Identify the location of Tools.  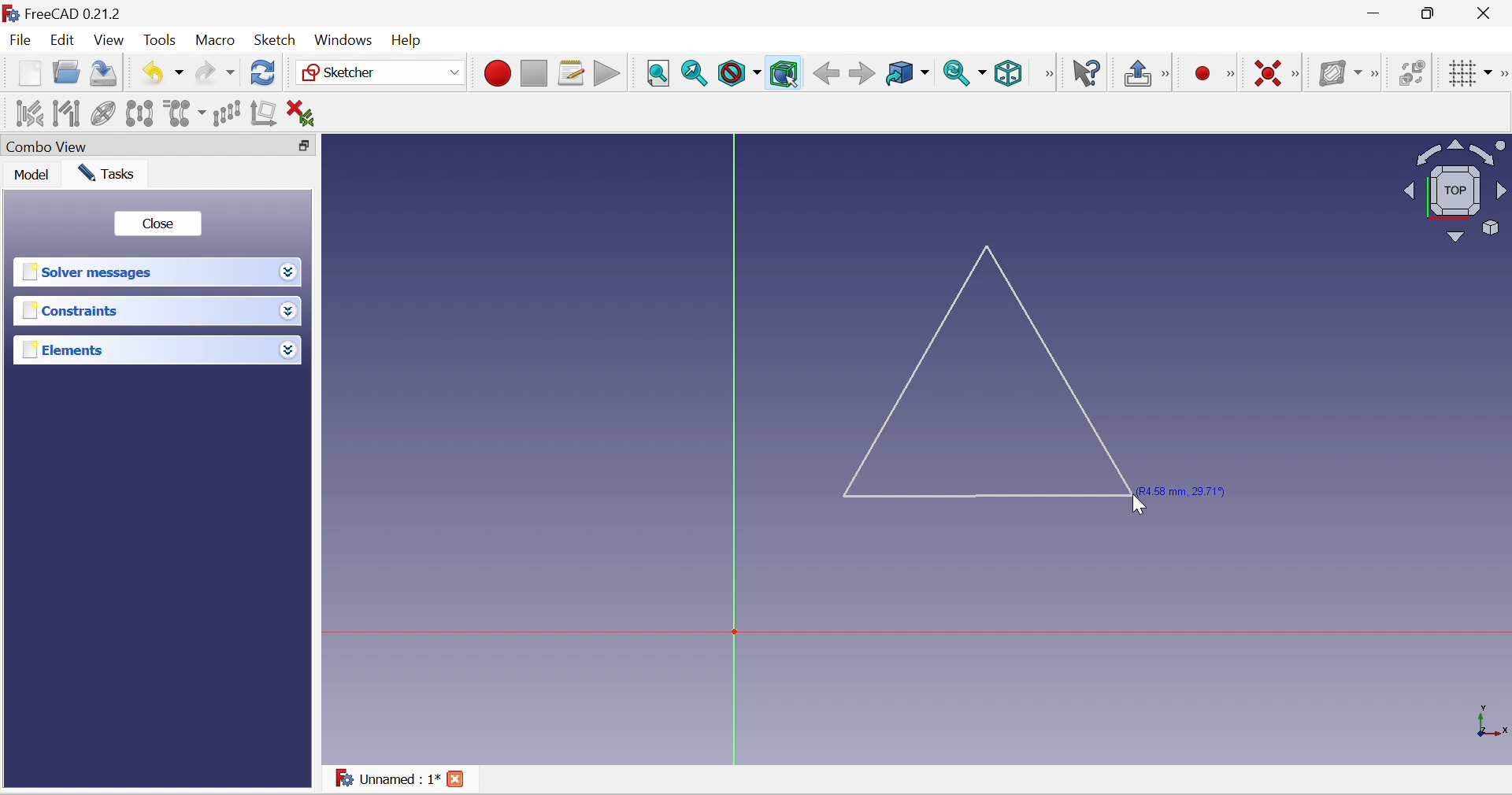
(158, 39).